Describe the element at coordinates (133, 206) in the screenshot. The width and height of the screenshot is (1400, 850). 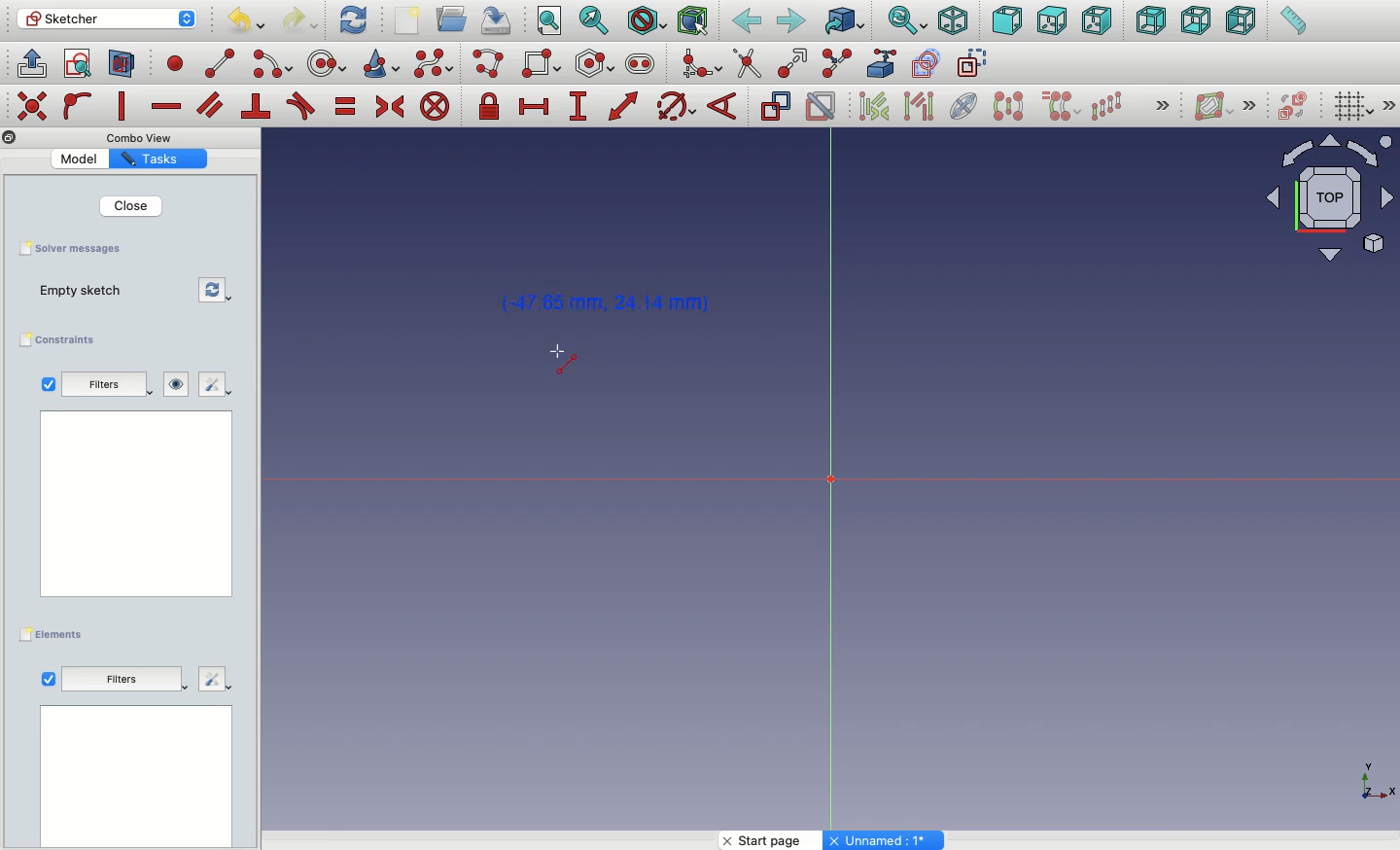
I see `Close` at that location.